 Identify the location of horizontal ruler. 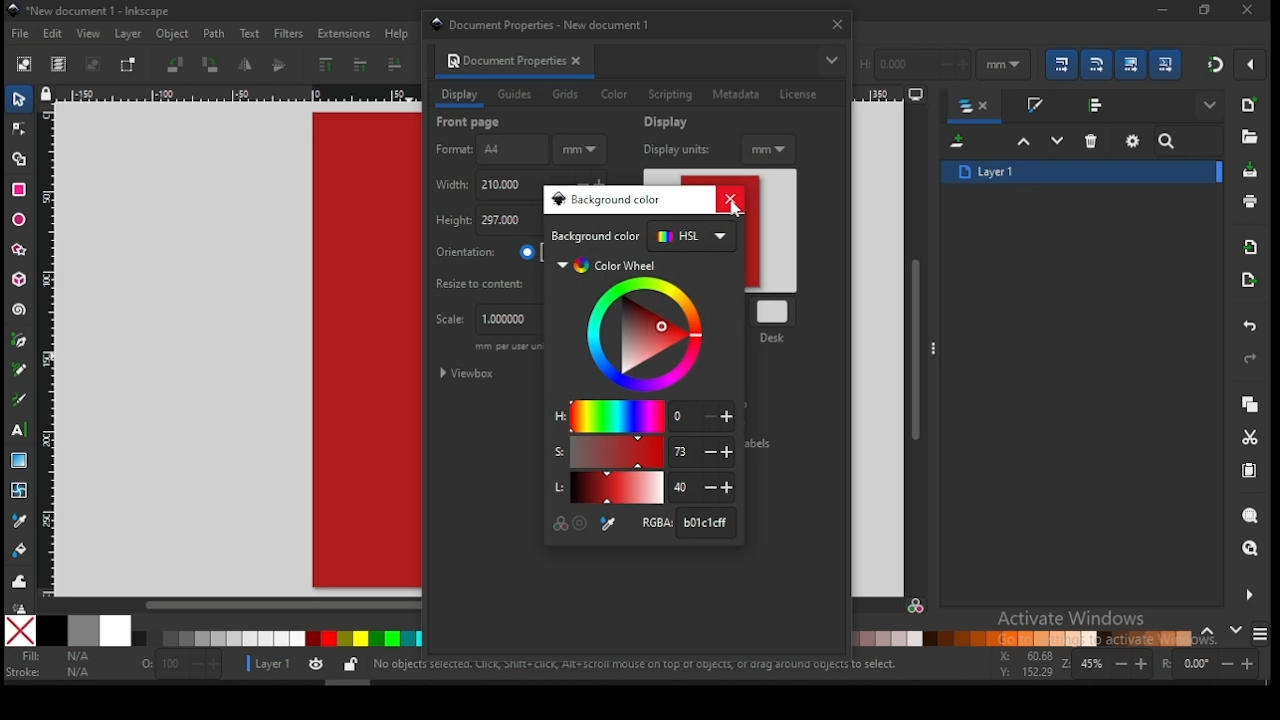
(892, 96).